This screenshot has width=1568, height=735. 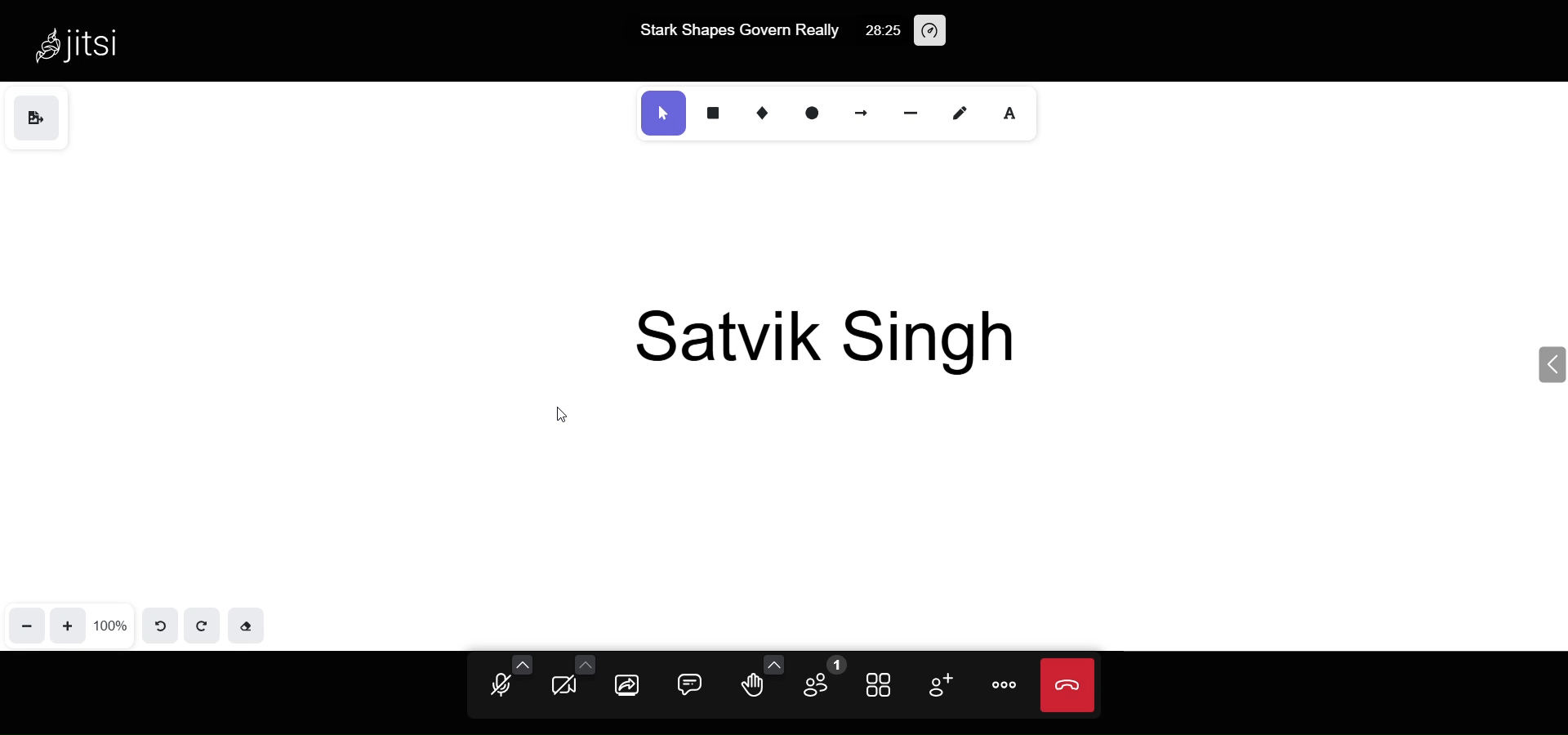 I want to click on Jitsi, so click(x=87, y=43).